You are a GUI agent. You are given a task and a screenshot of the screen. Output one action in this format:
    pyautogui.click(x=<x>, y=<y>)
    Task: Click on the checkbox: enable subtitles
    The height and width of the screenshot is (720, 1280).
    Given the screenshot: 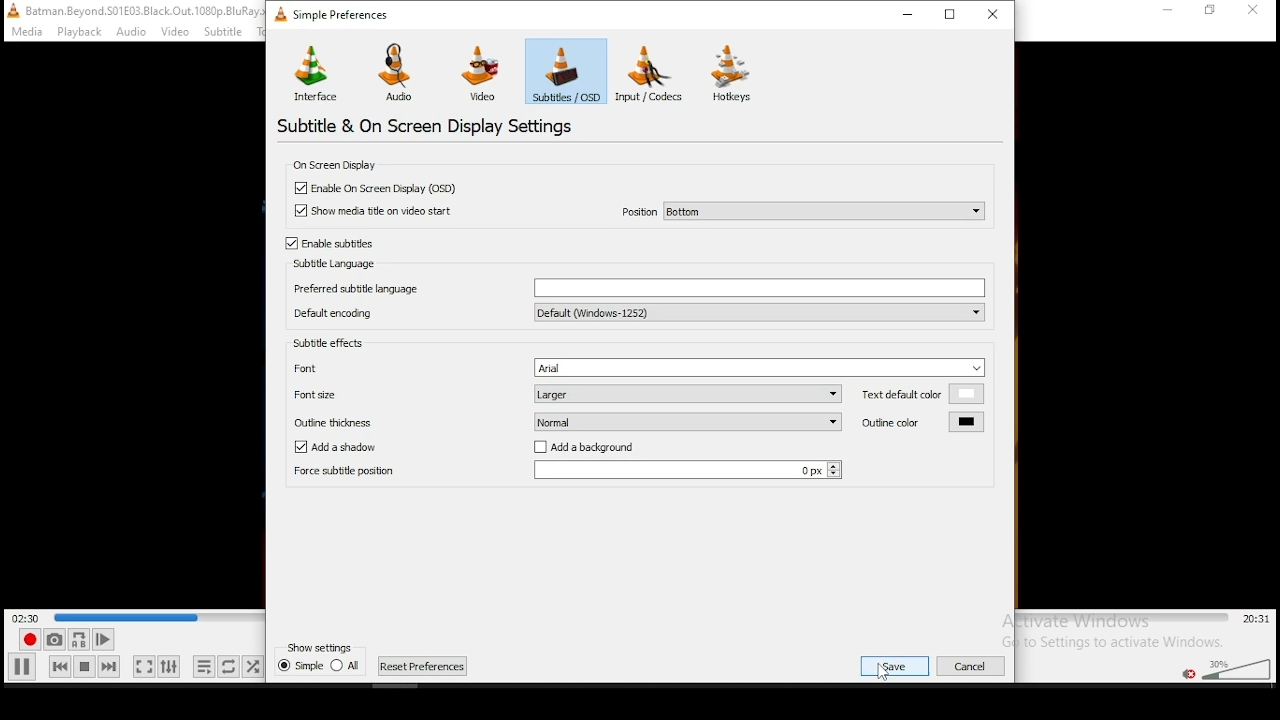 What is the action you would take?
    pyautogui.click(x=332, y=244)
    